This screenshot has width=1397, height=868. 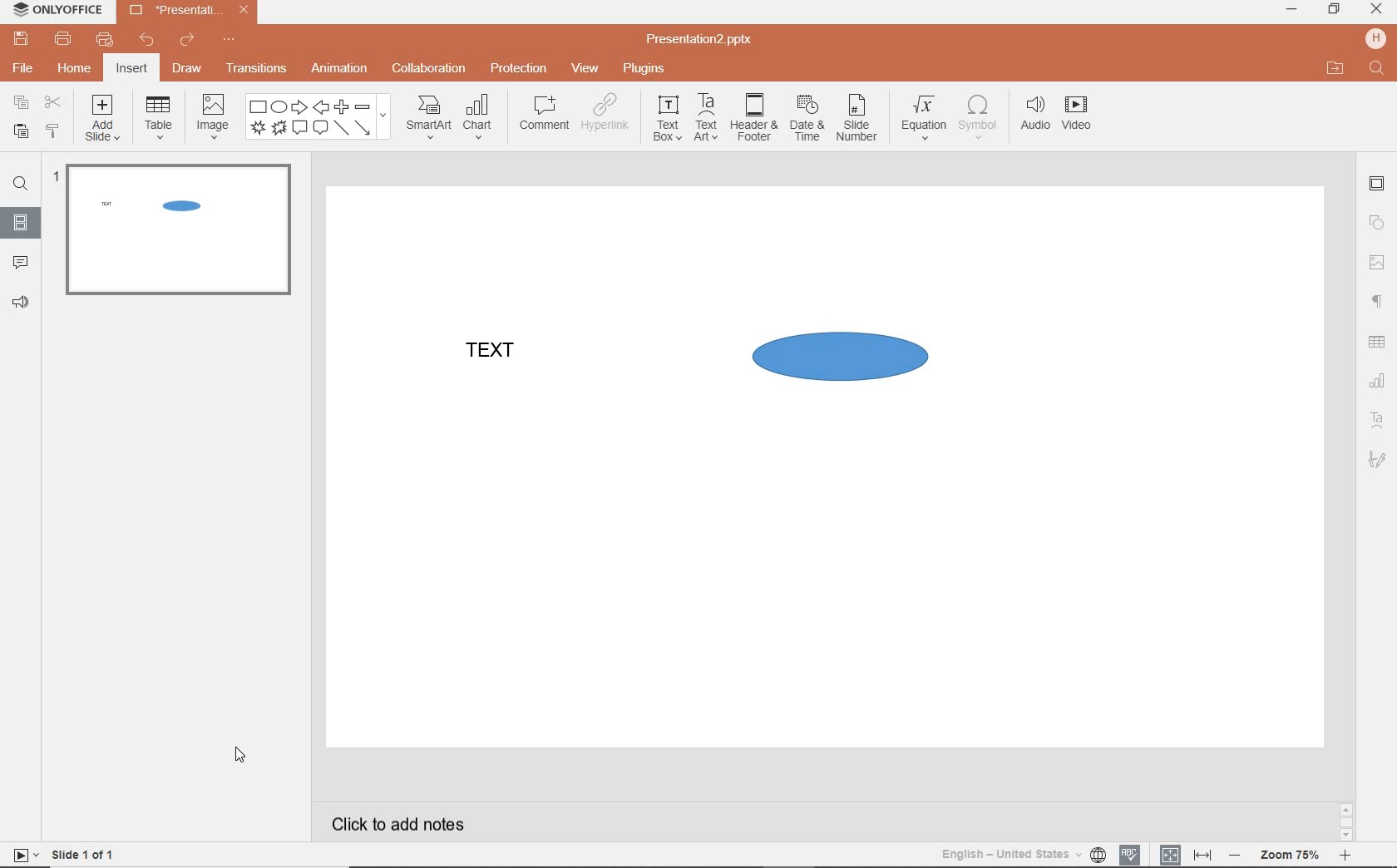 What do you see at coordinates (102, 40) in the screenshot?
I see `customize quick print` at bounding box center [102, 40].